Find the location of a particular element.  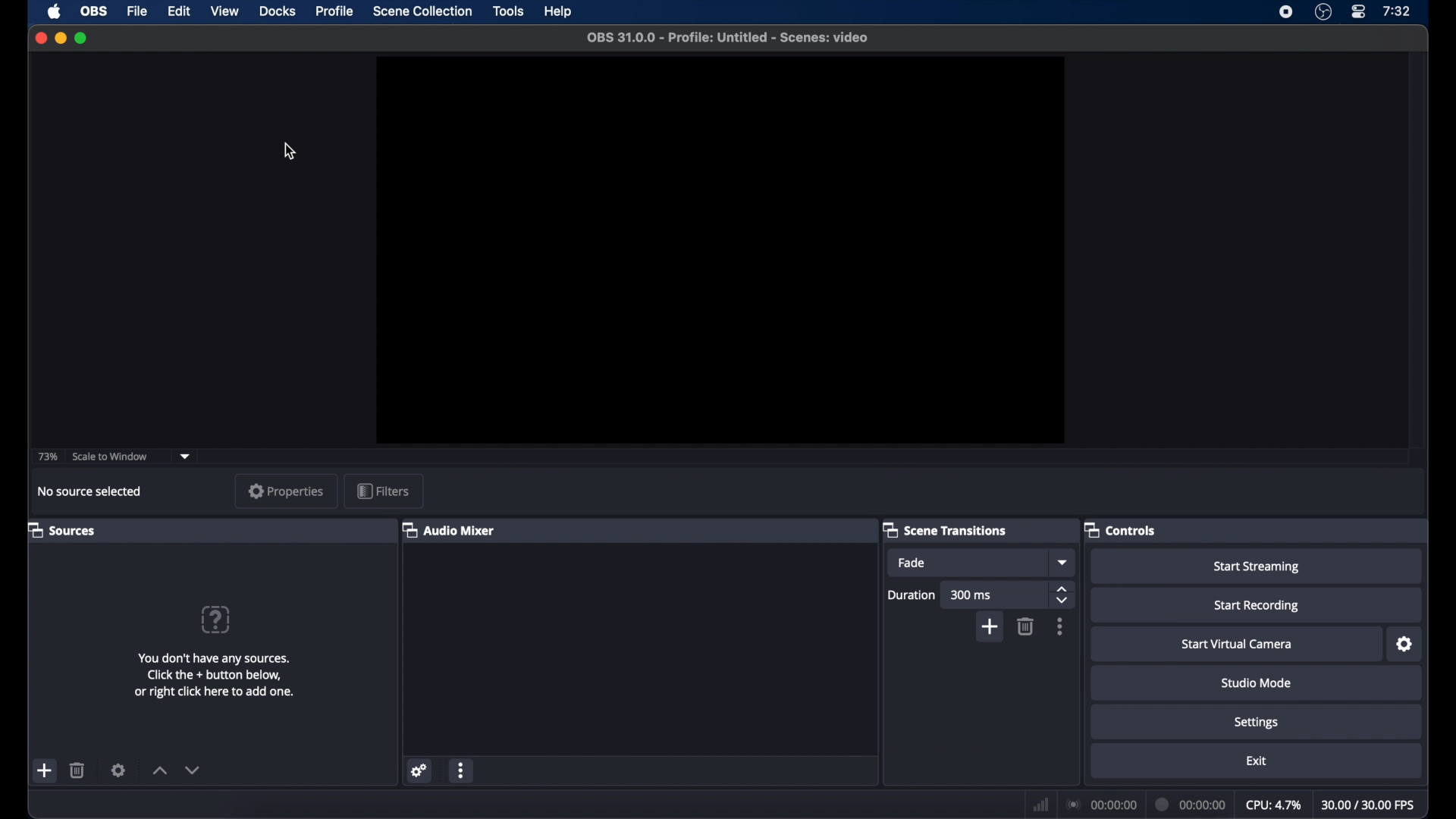

control center is located at coordinates (1359, 12).